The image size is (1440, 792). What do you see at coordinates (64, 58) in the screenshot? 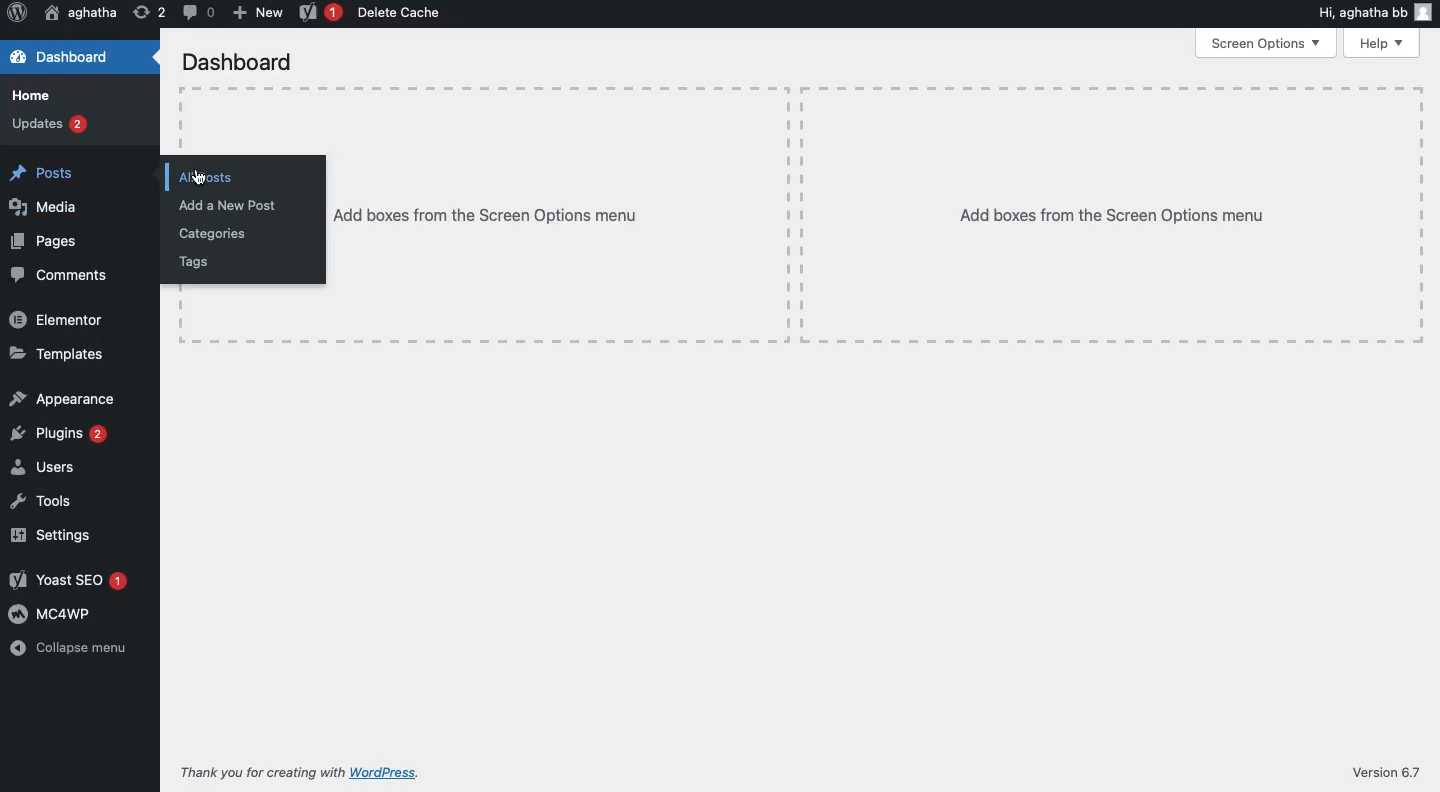
I see `Dashboard` at bounding box center [64, 58].